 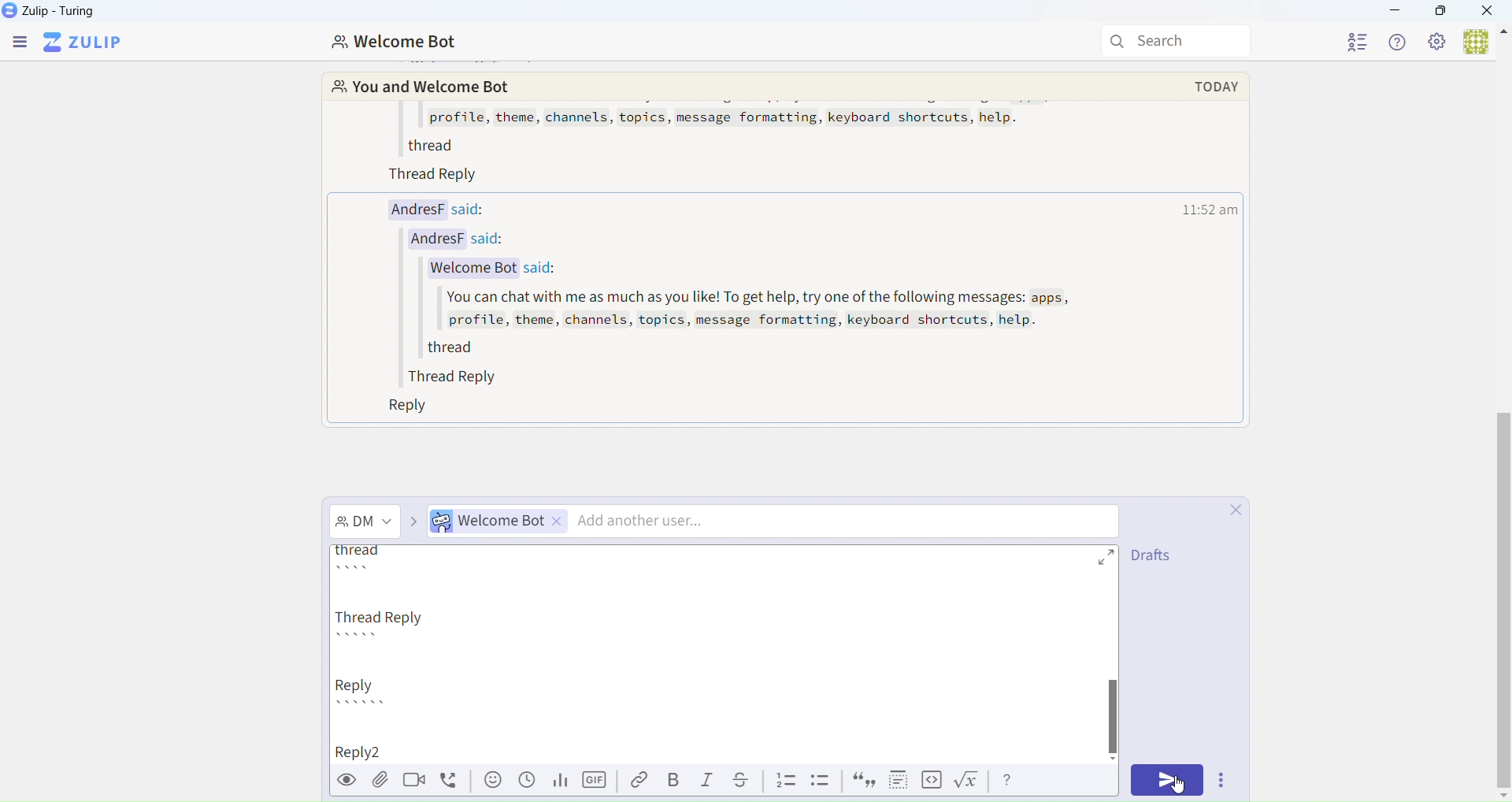 What do you see at coordinates (863, 782) in the screenshot?
I see `quote` at bounding box center [863, 782].